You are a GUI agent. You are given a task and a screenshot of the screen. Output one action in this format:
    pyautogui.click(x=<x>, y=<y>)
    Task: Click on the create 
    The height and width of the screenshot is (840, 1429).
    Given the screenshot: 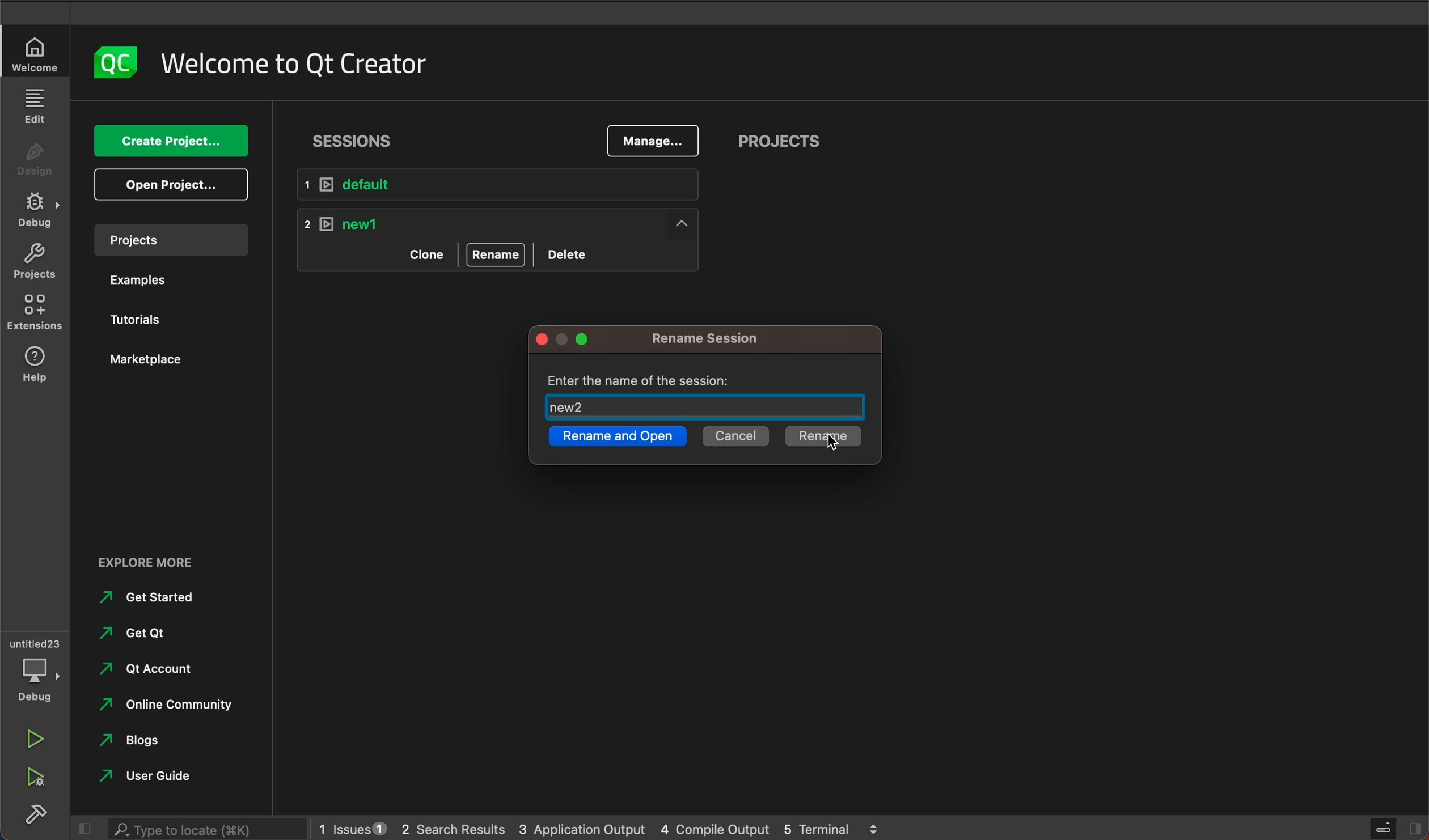 What is the action you would take?
    pyautogui.click(x=170, y=142)
    